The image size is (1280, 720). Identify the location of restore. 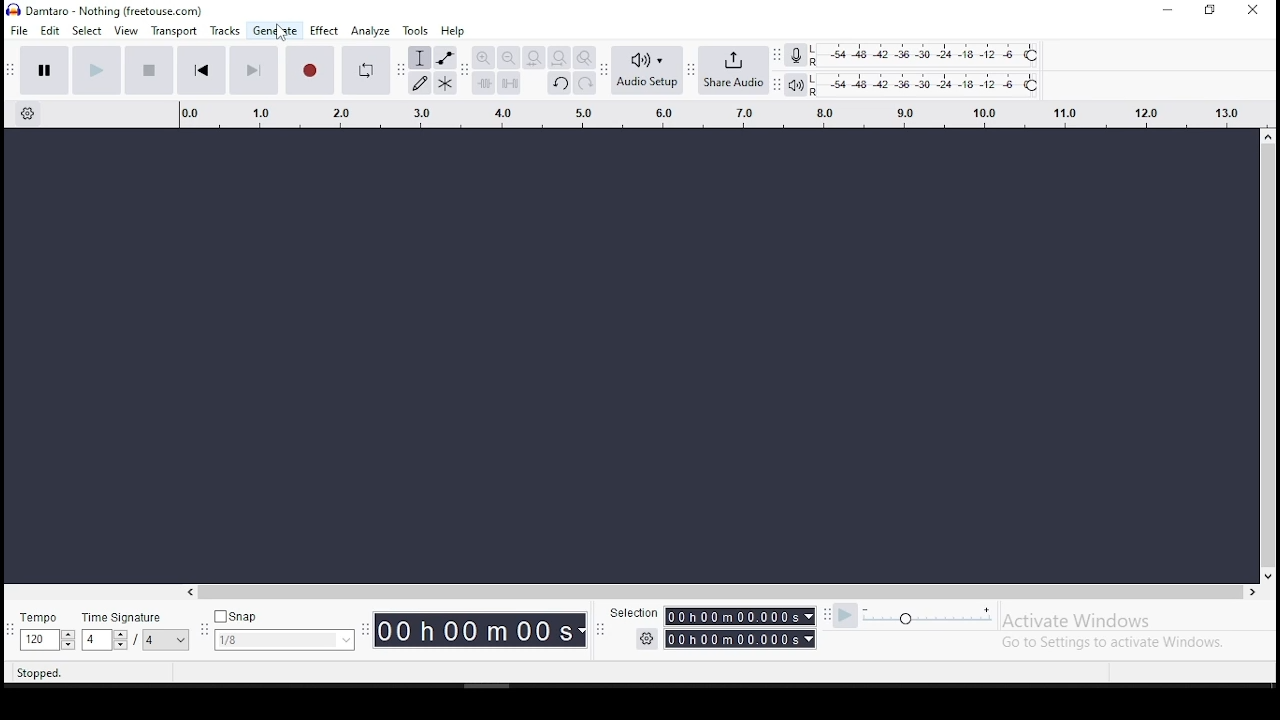
(1212, 10).